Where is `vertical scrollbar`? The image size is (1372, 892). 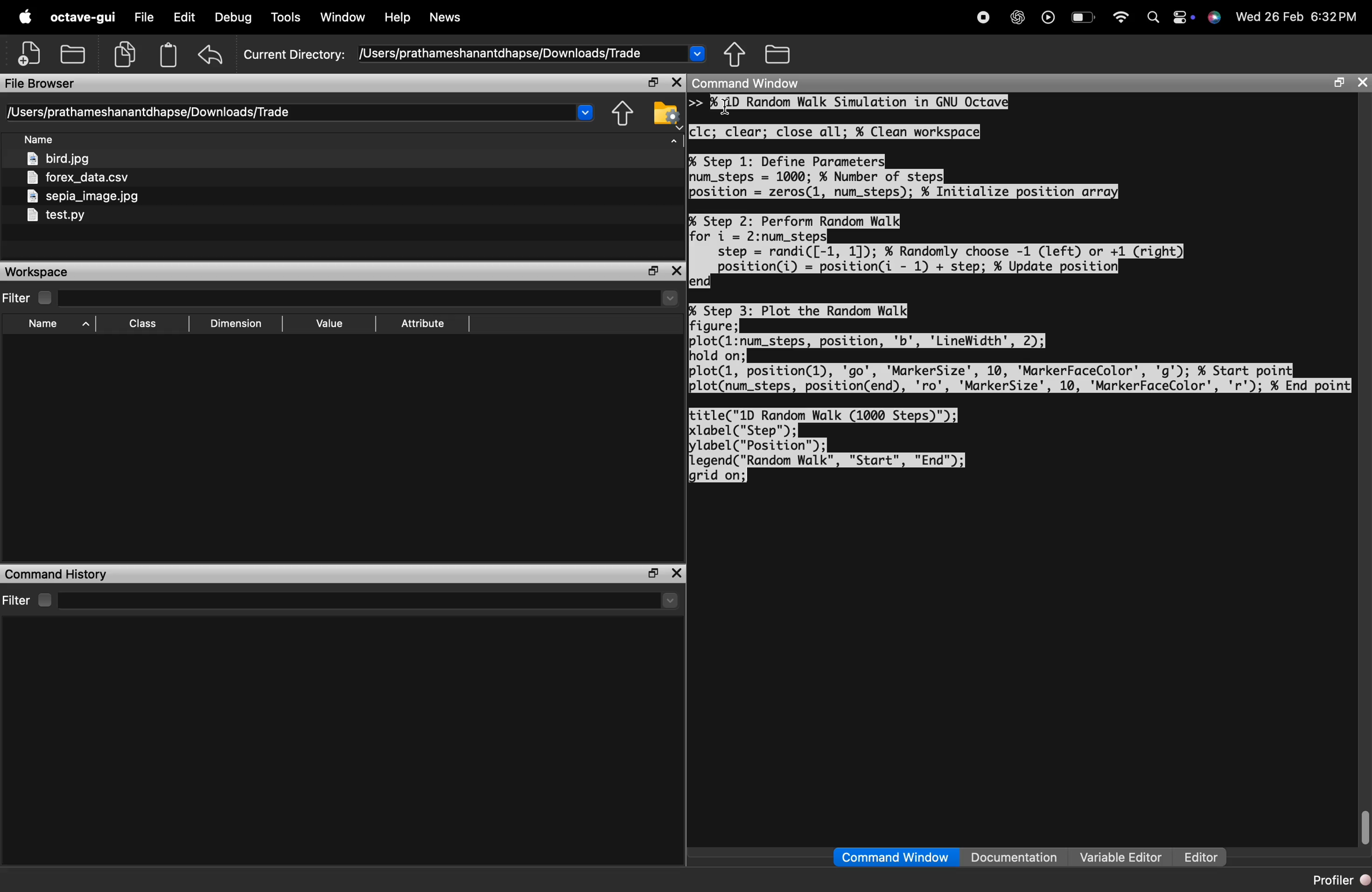 vertical scrollbar is located at coordinates (1362, 825).